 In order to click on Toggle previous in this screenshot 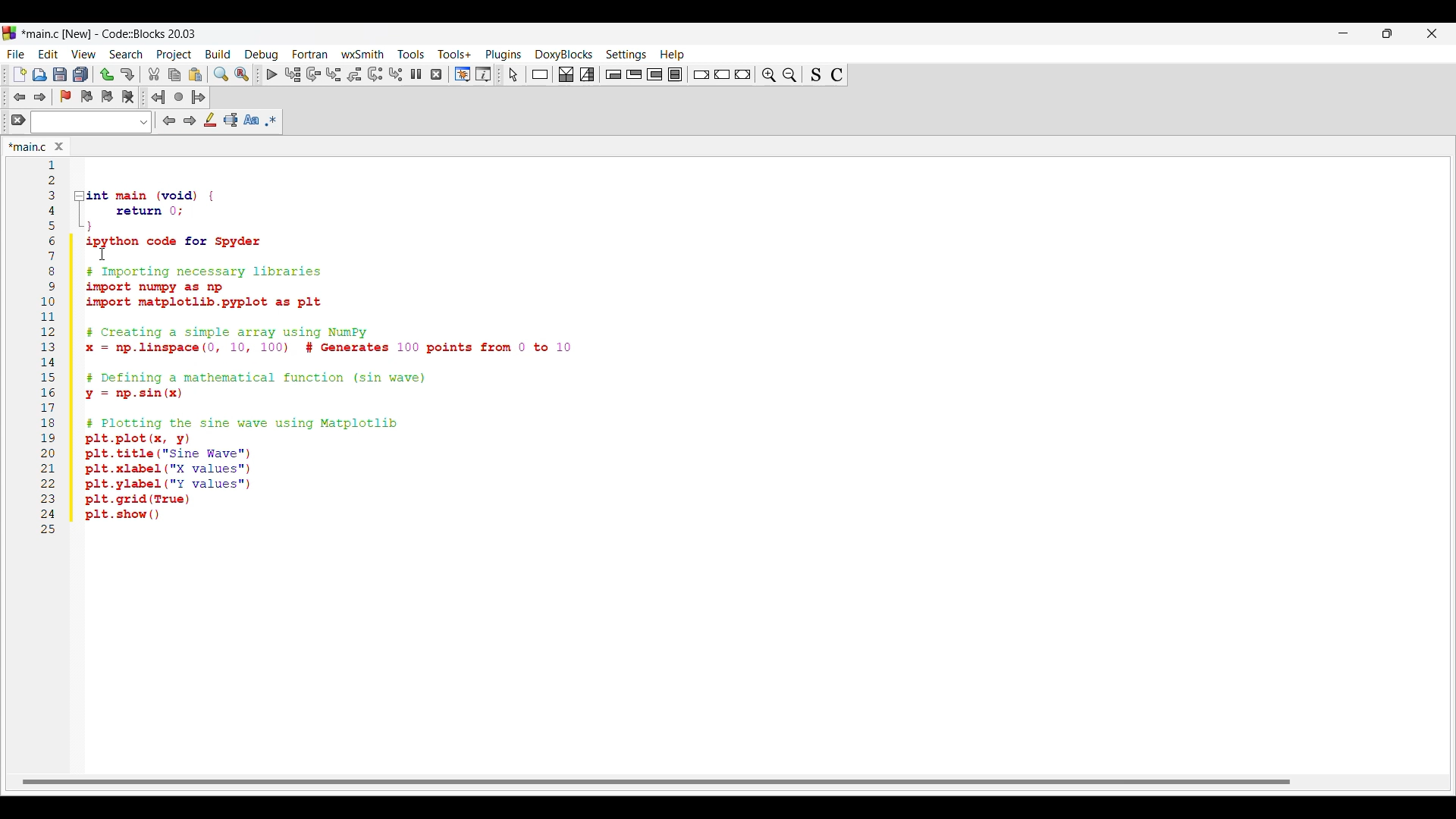, I will do `click(86, 96)`.